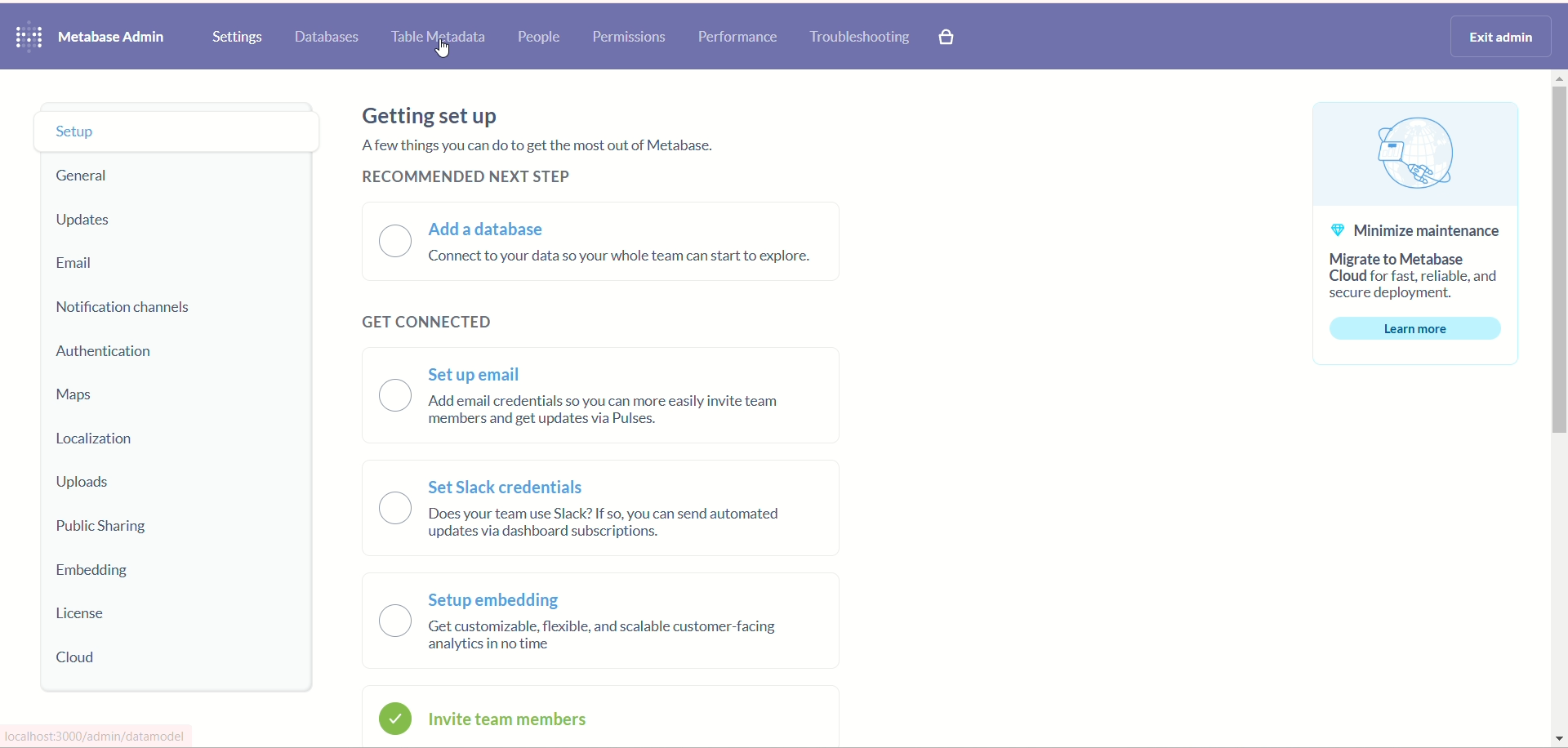 The image size is (1568, 748). What do you see at coordinates (79, 263) in the screenshot?
I see `email` at bounding box center [79, 263].